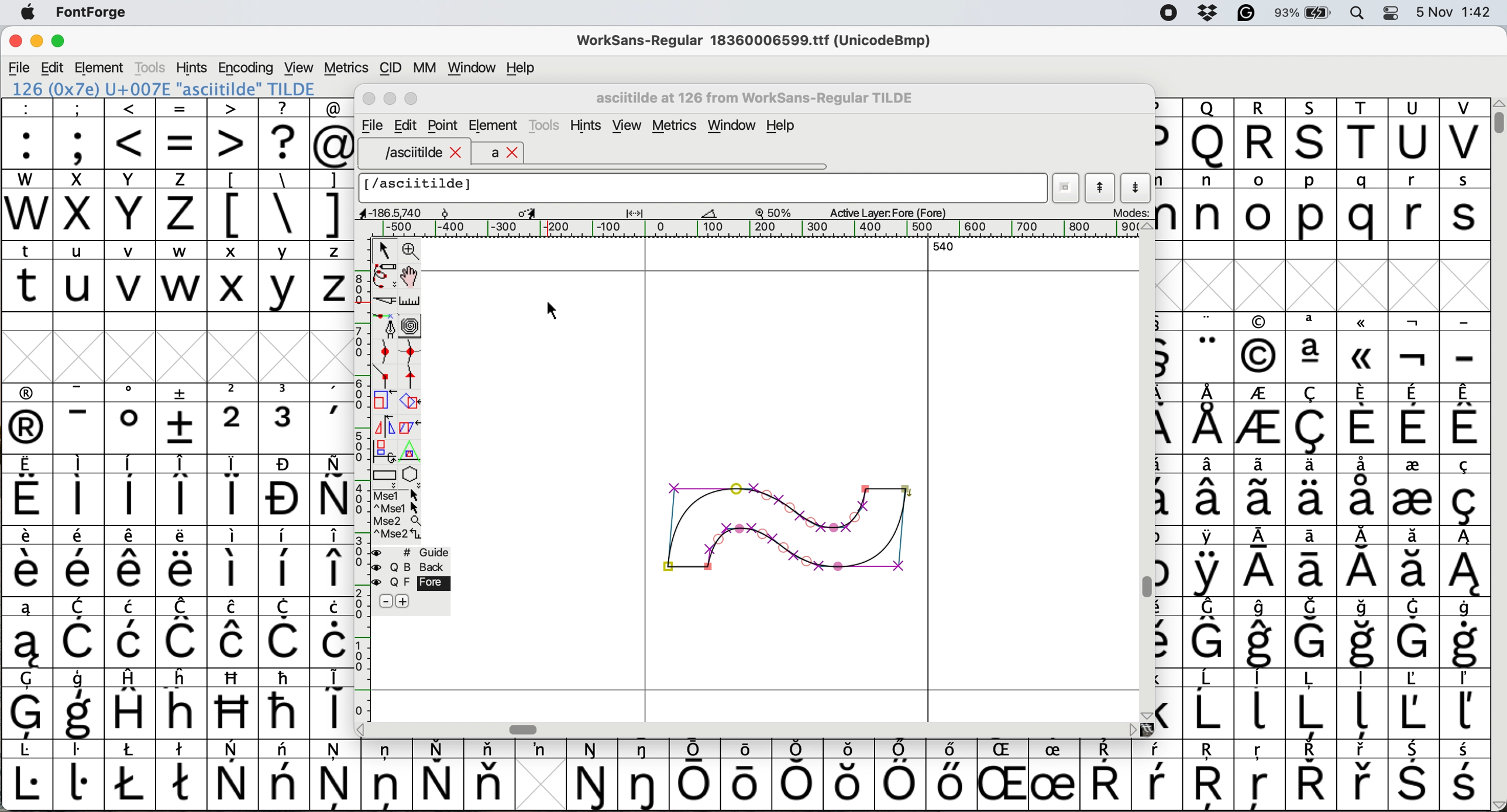  What do you see at coordinates (286, 418) in the screenshot?
I see `symbol` at bounding box center [286, 418].